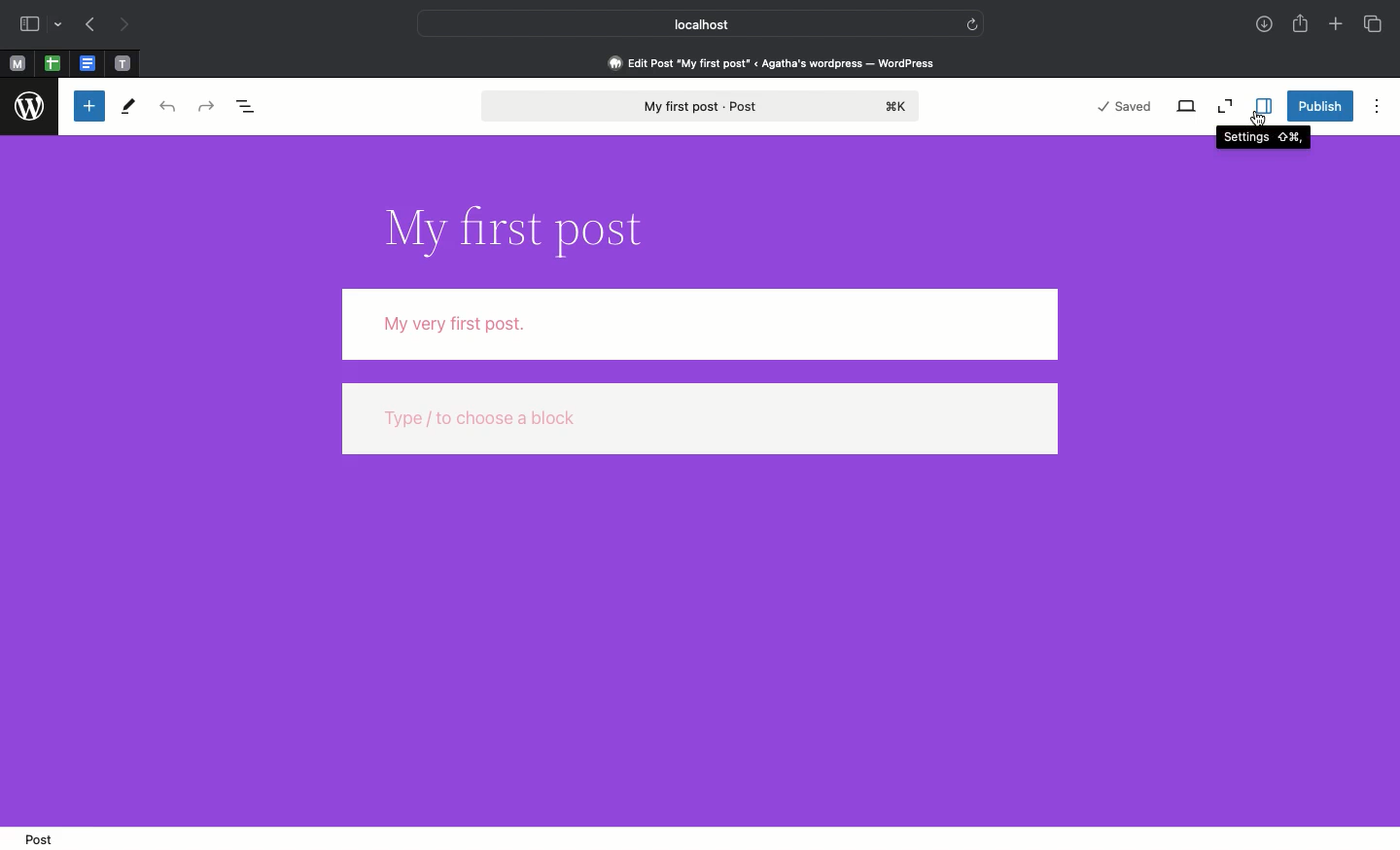 The image size is (1400, 850). Describe the element at coordinates (89, 105) in the screenshot. I see `Toggle blocker` at that location.